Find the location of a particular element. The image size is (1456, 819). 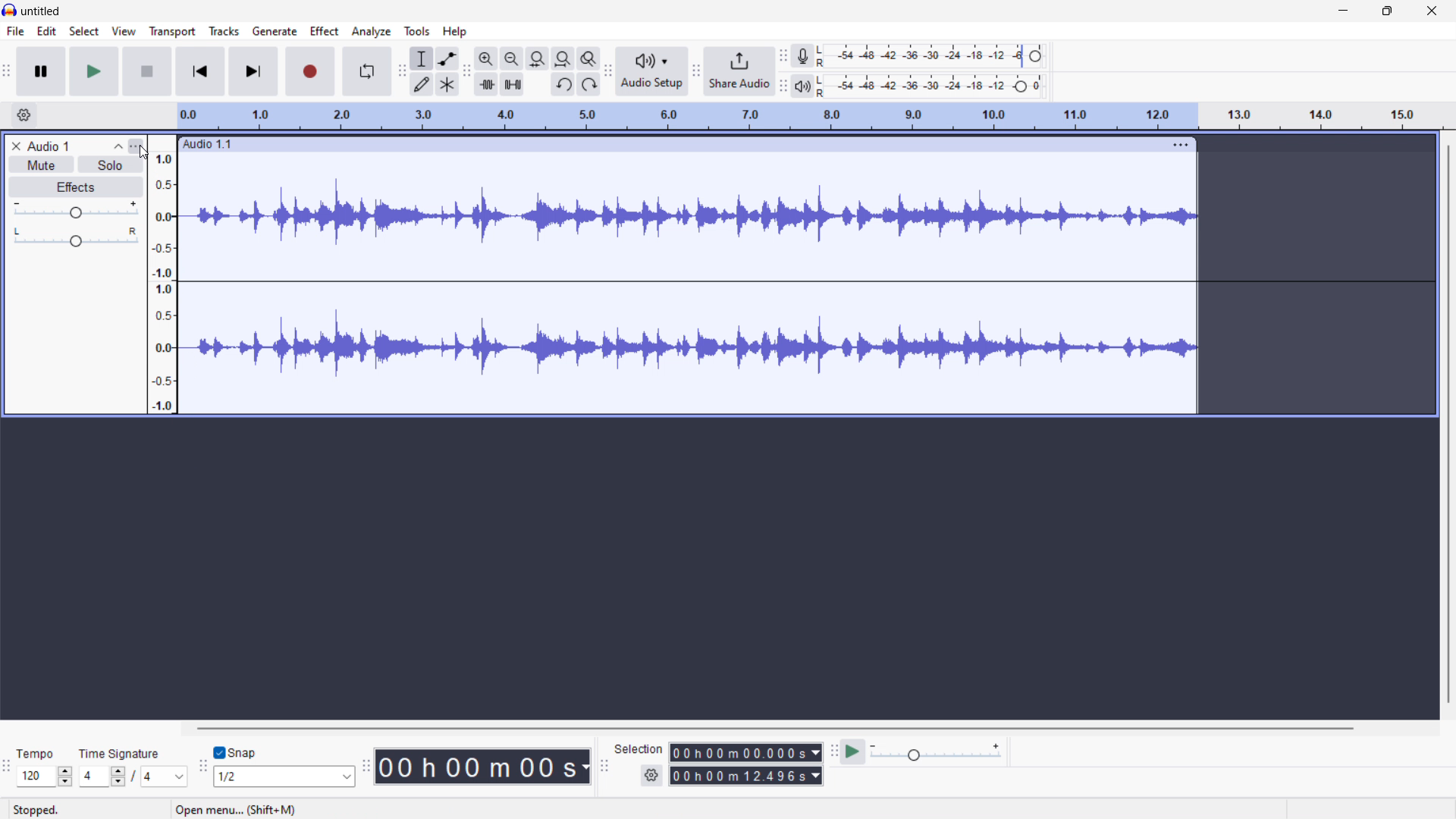

playback speed is located at coordinates (935, 752).